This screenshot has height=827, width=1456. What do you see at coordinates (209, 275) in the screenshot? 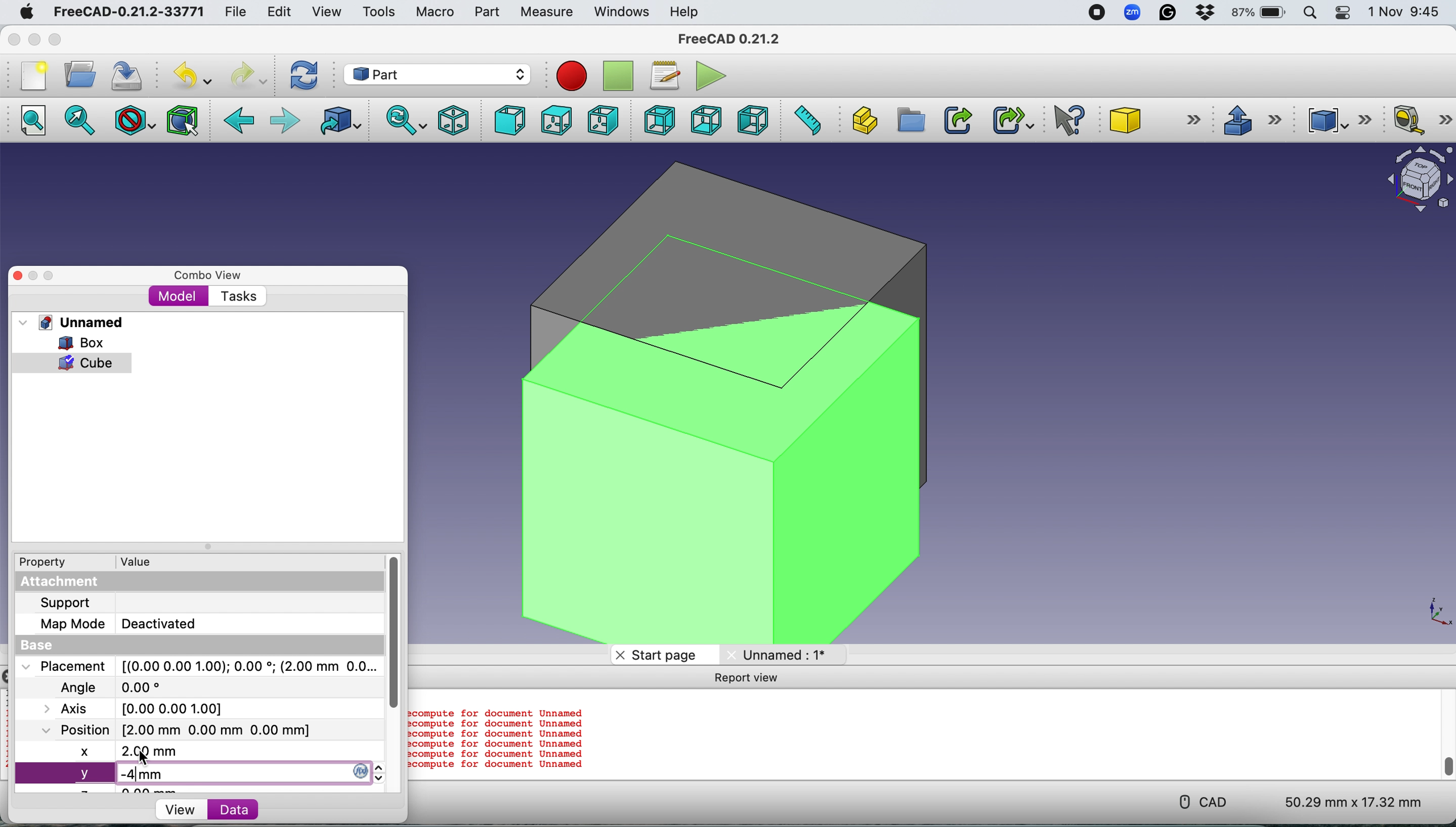
I see `Combo view` at bounding box center [209, 275].